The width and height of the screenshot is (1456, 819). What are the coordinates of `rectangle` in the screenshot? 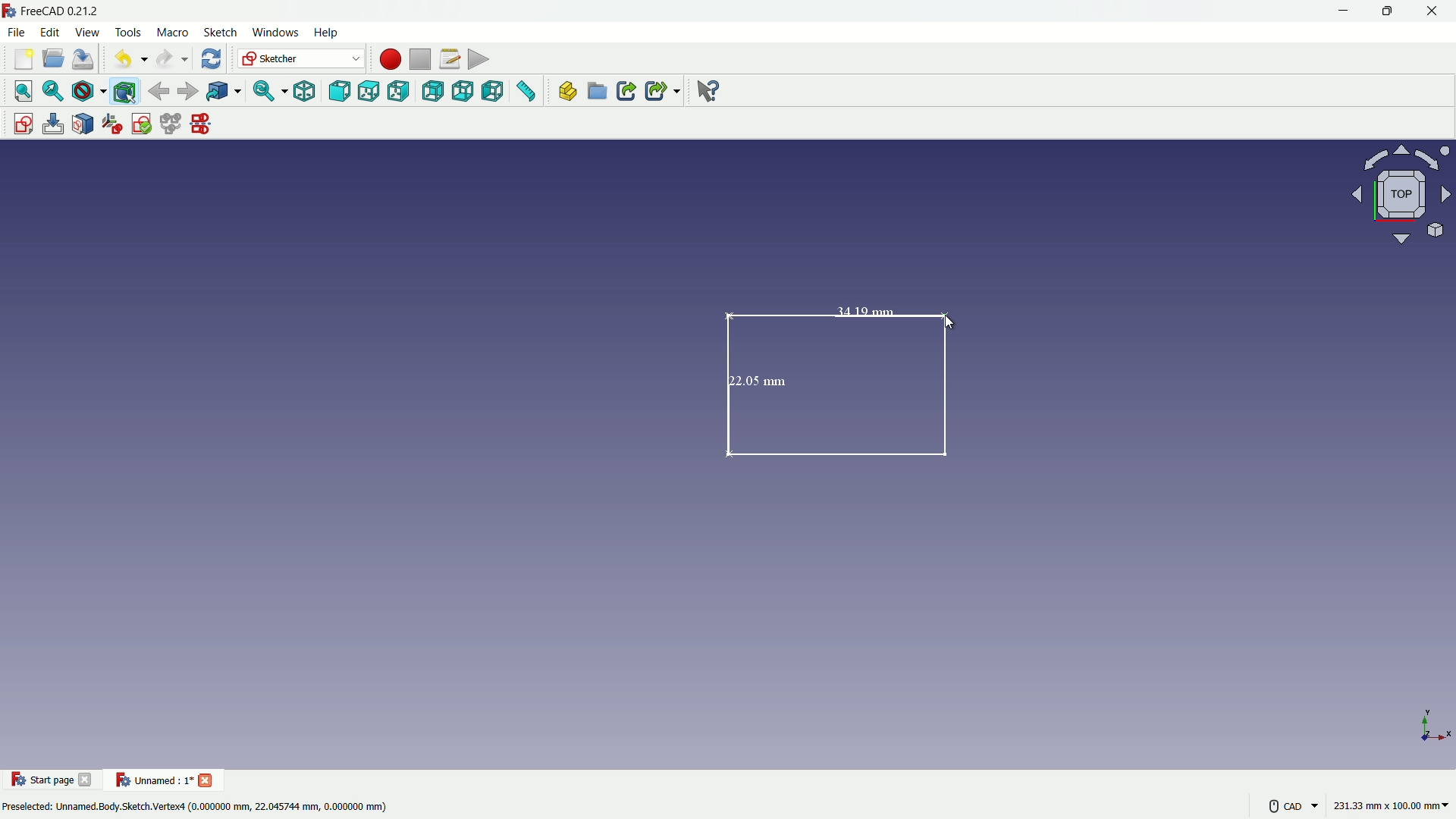 It's located at (845, 386).